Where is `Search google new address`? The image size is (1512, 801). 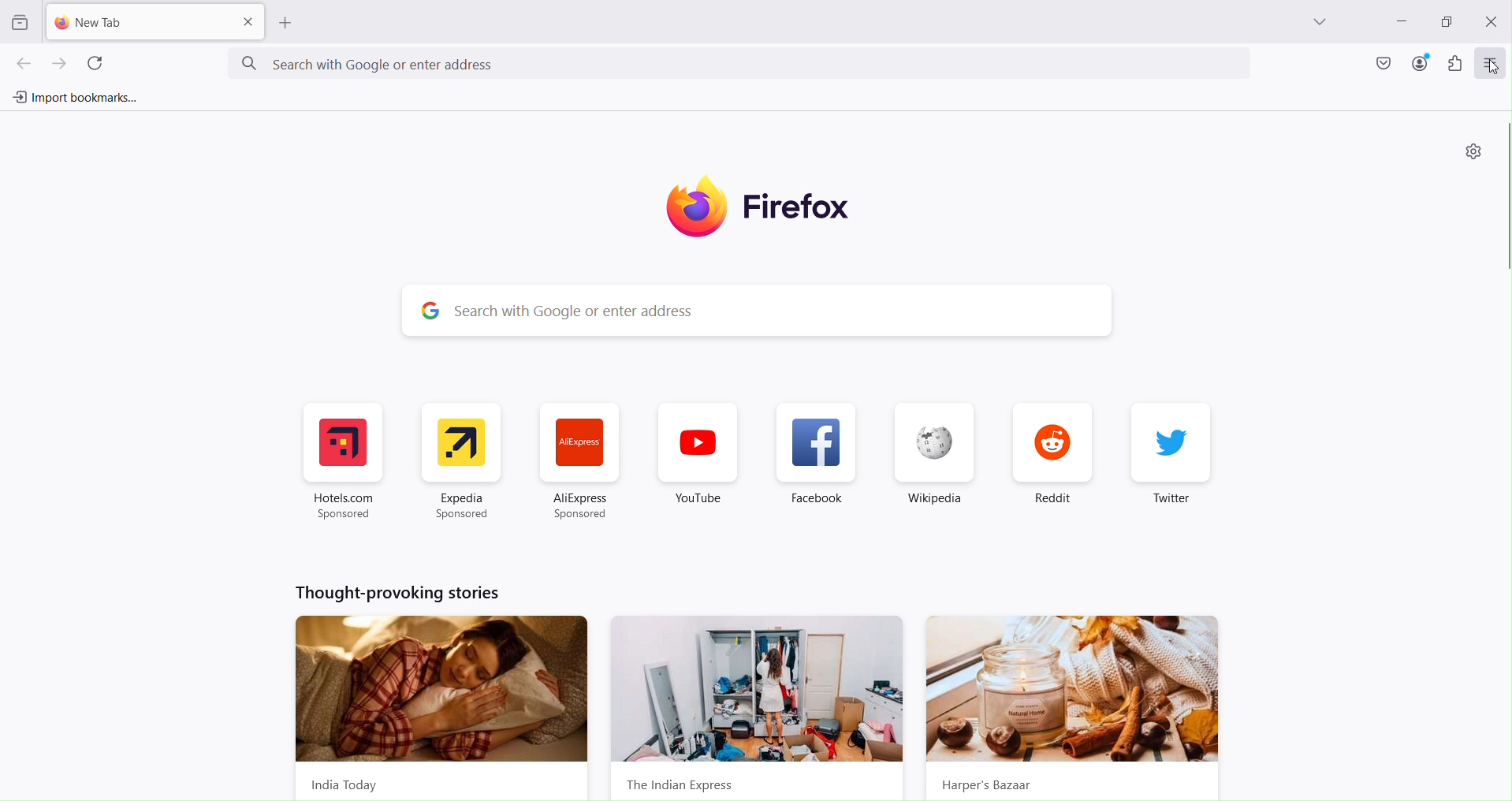 Search google new address is located at coordinates (741, 64).